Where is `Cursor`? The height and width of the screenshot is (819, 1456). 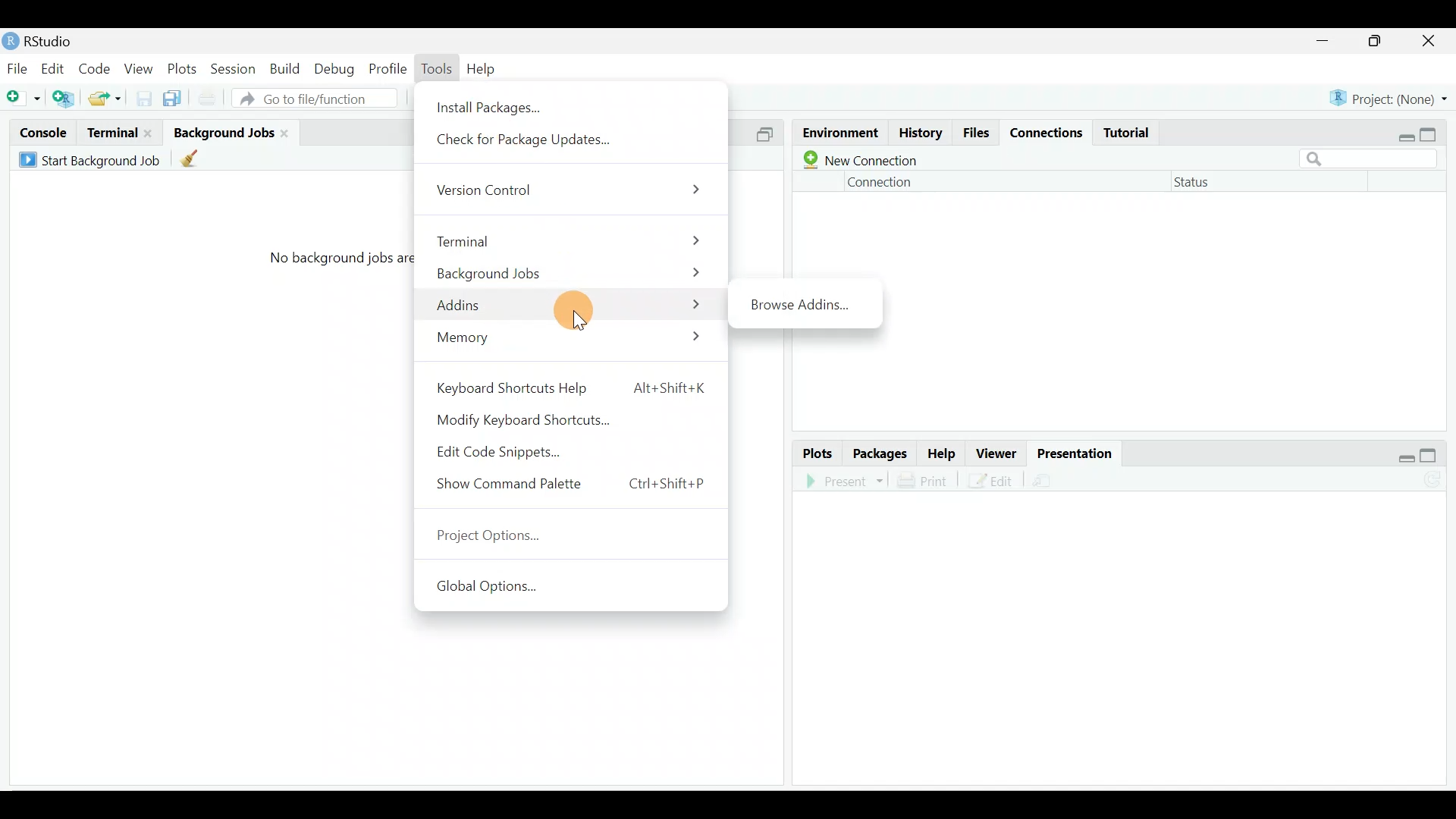
Cursor is located at coordinates (567, 304).